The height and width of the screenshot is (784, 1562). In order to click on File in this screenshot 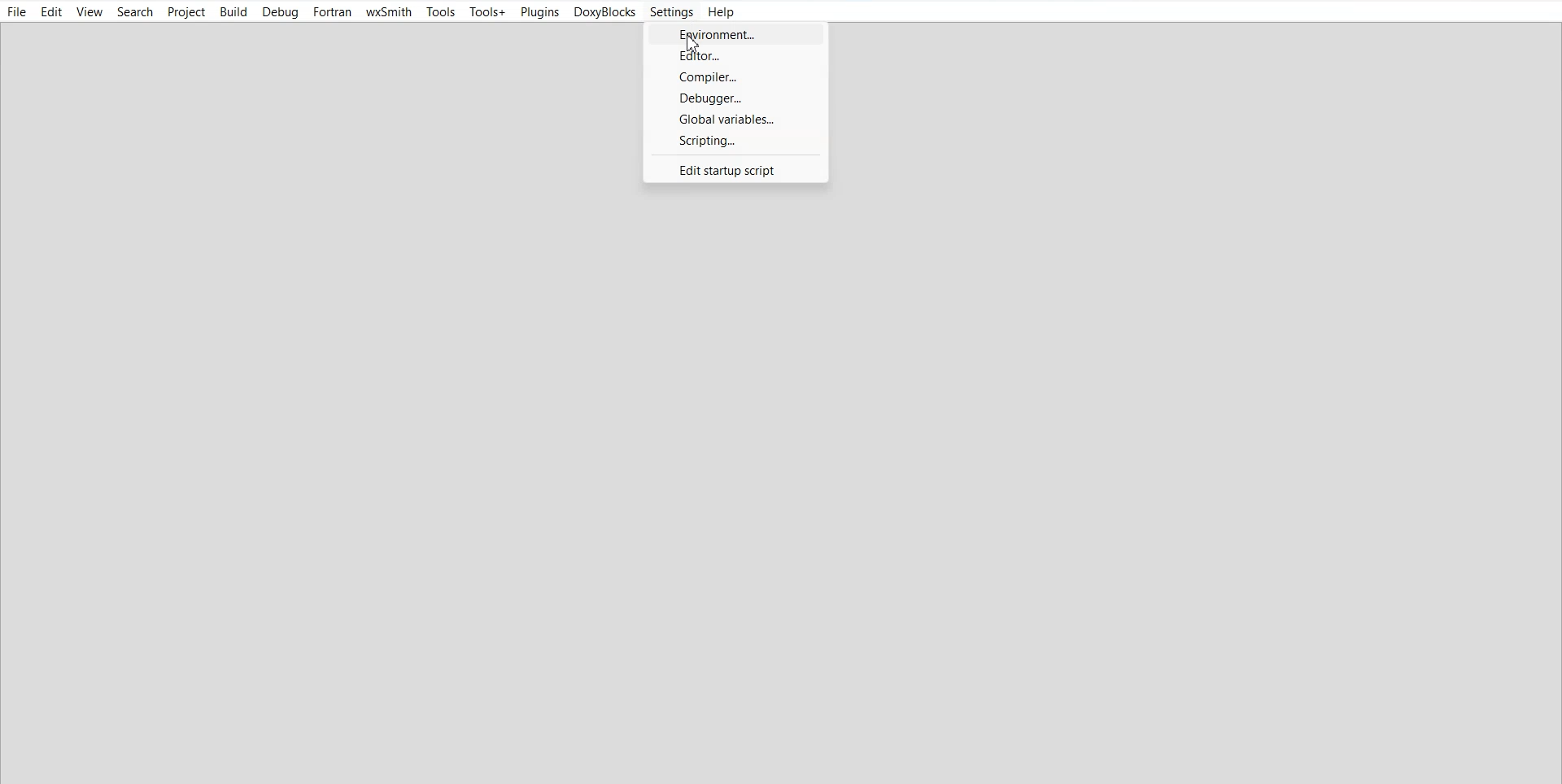, I will do `click(17, 13)`.